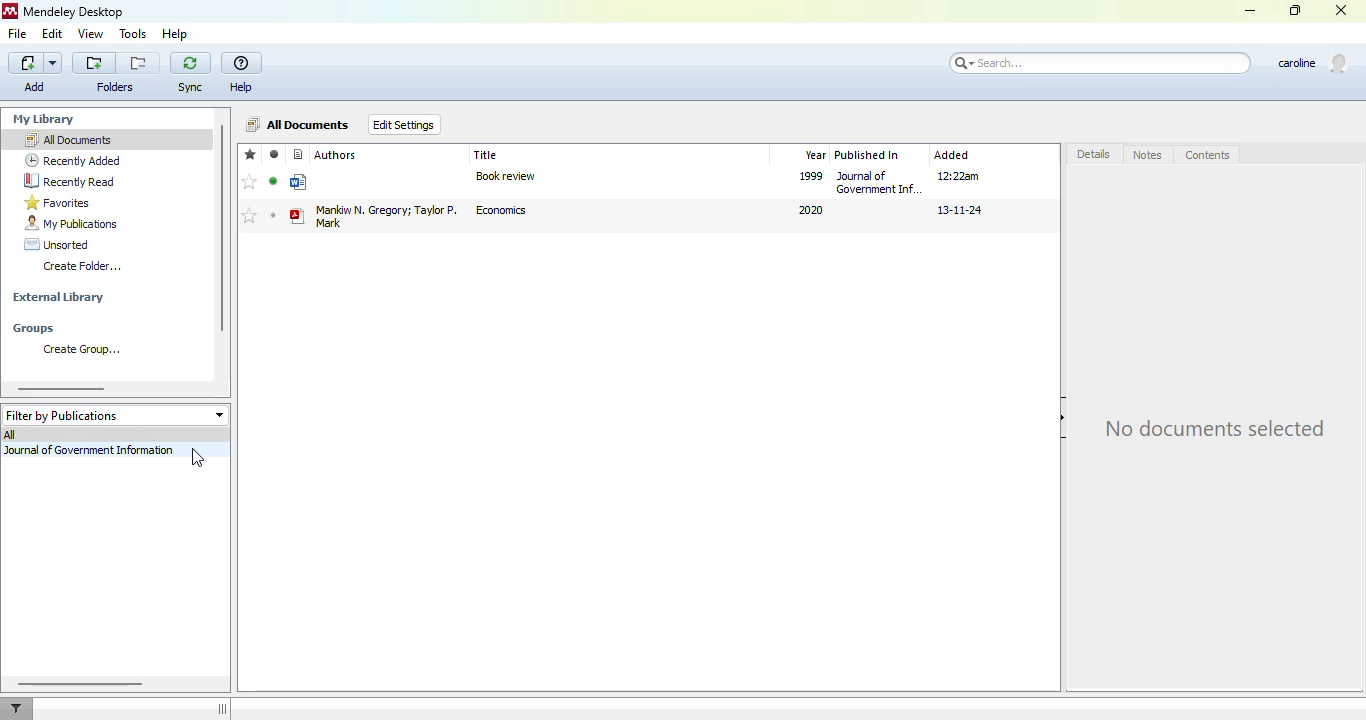 The height and width of the screenshot is (720, 1366). Describe the element at coordinates (17, 708) in the screenshot. I see `filter documents by author, tag or publication.` at that location.